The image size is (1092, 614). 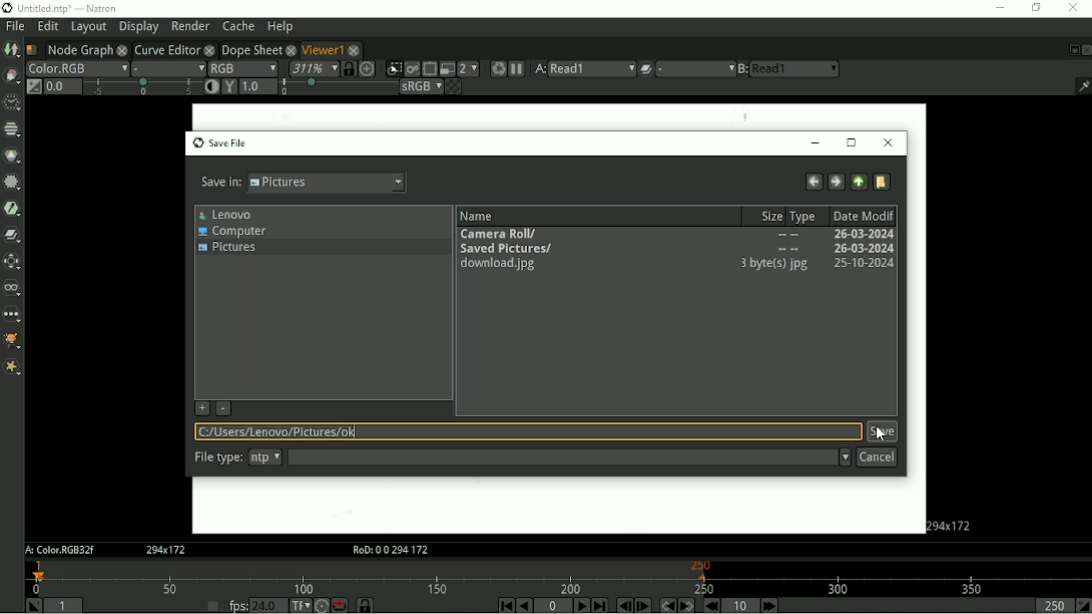 I want to click on Playback out point, so click(x=1053, y=605).